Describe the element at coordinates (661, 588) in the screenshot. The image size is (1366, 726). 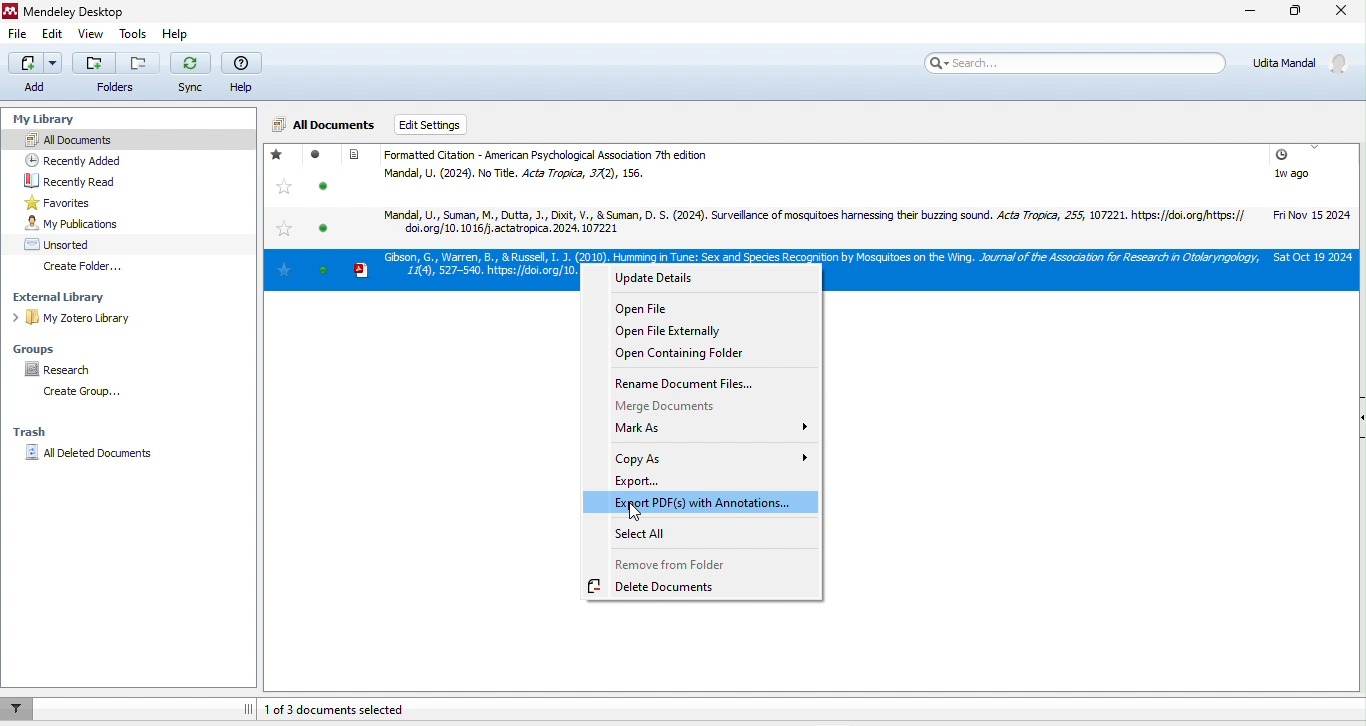
I see `delete documents` at that location.